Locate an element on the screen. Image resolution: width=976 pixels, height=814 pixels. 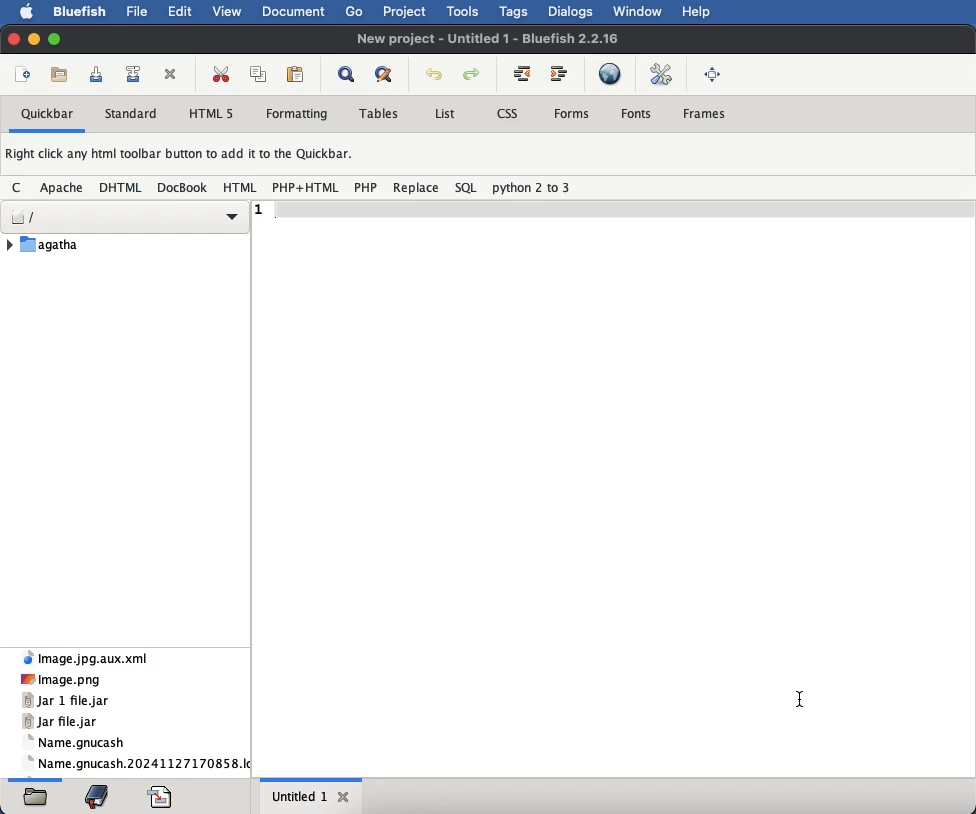
Horizontal Scrollbar is located at coordinates (315, 777).